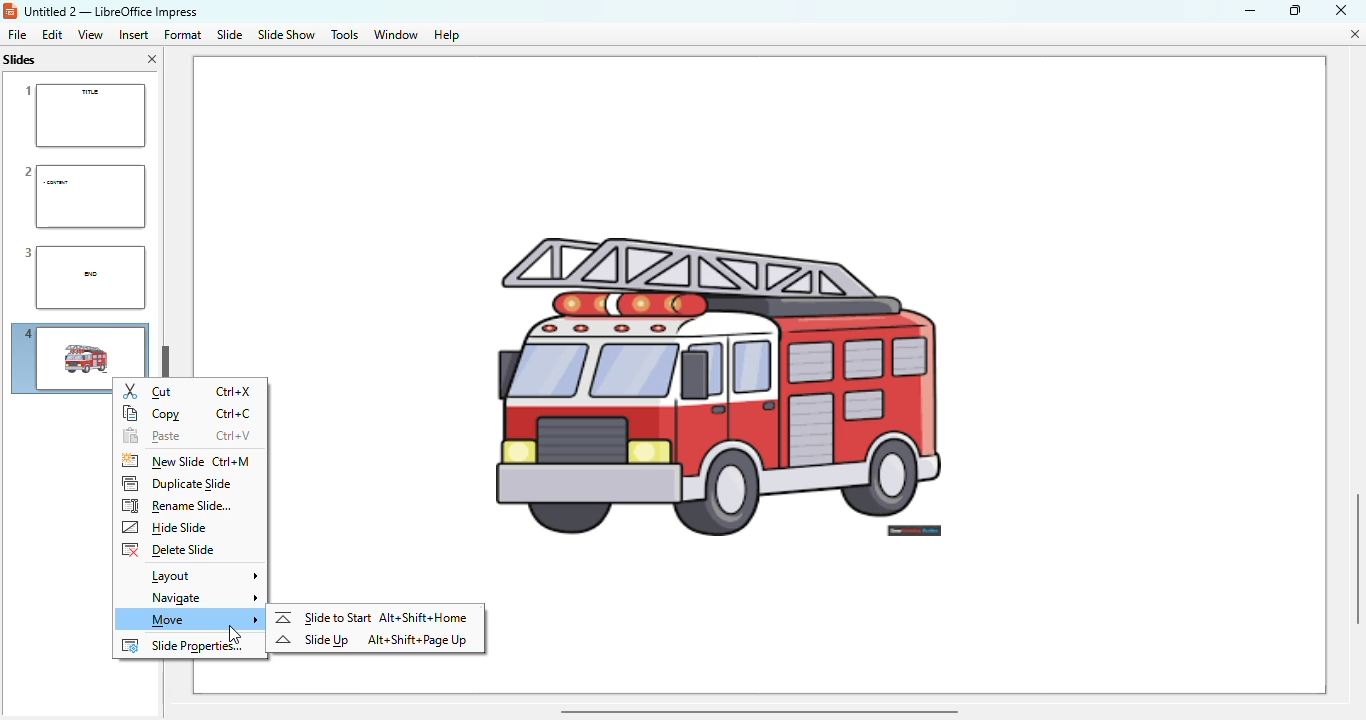 This screenshot has height=720, width=1366. I want to click on close document, so click(1354, 34).